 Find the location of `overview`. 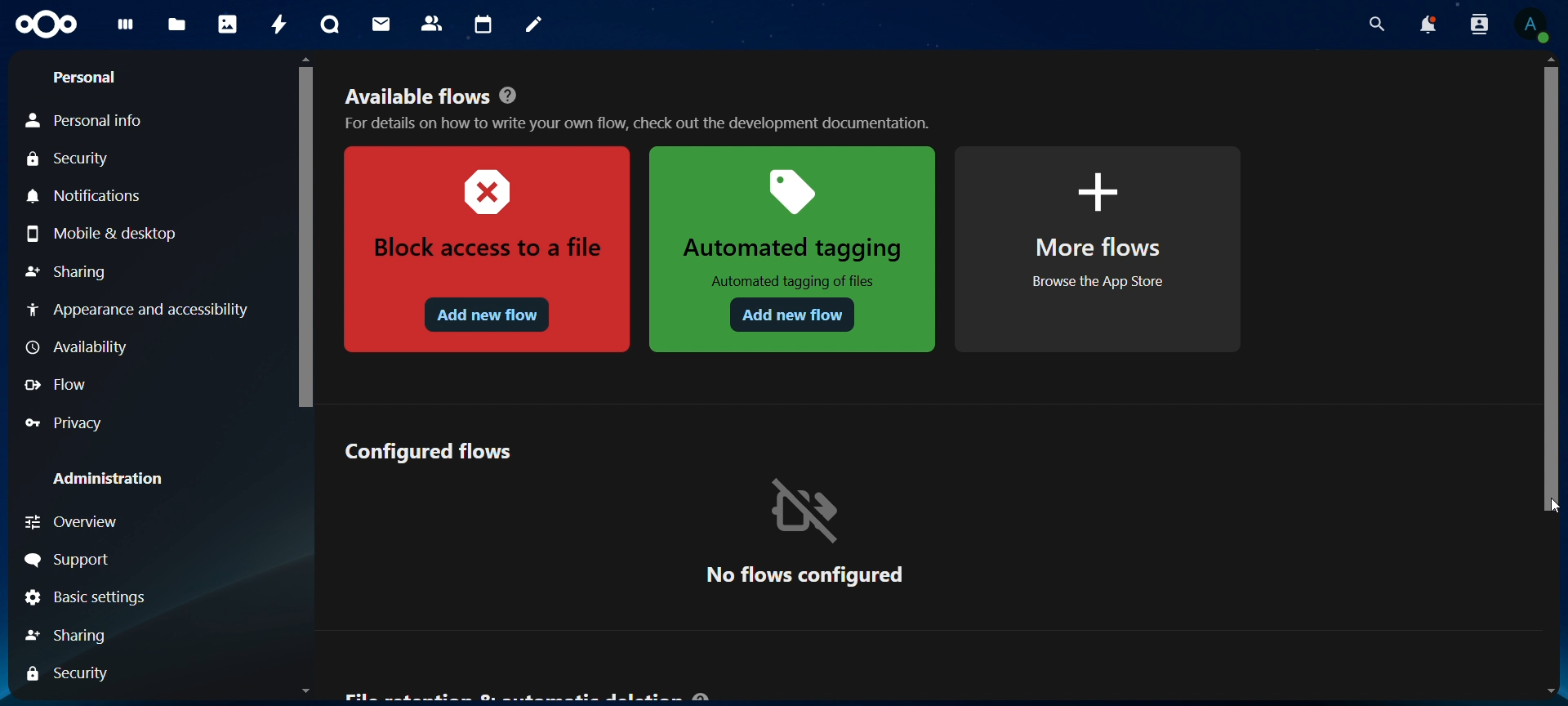

overview is located at coordinates (104, 522).